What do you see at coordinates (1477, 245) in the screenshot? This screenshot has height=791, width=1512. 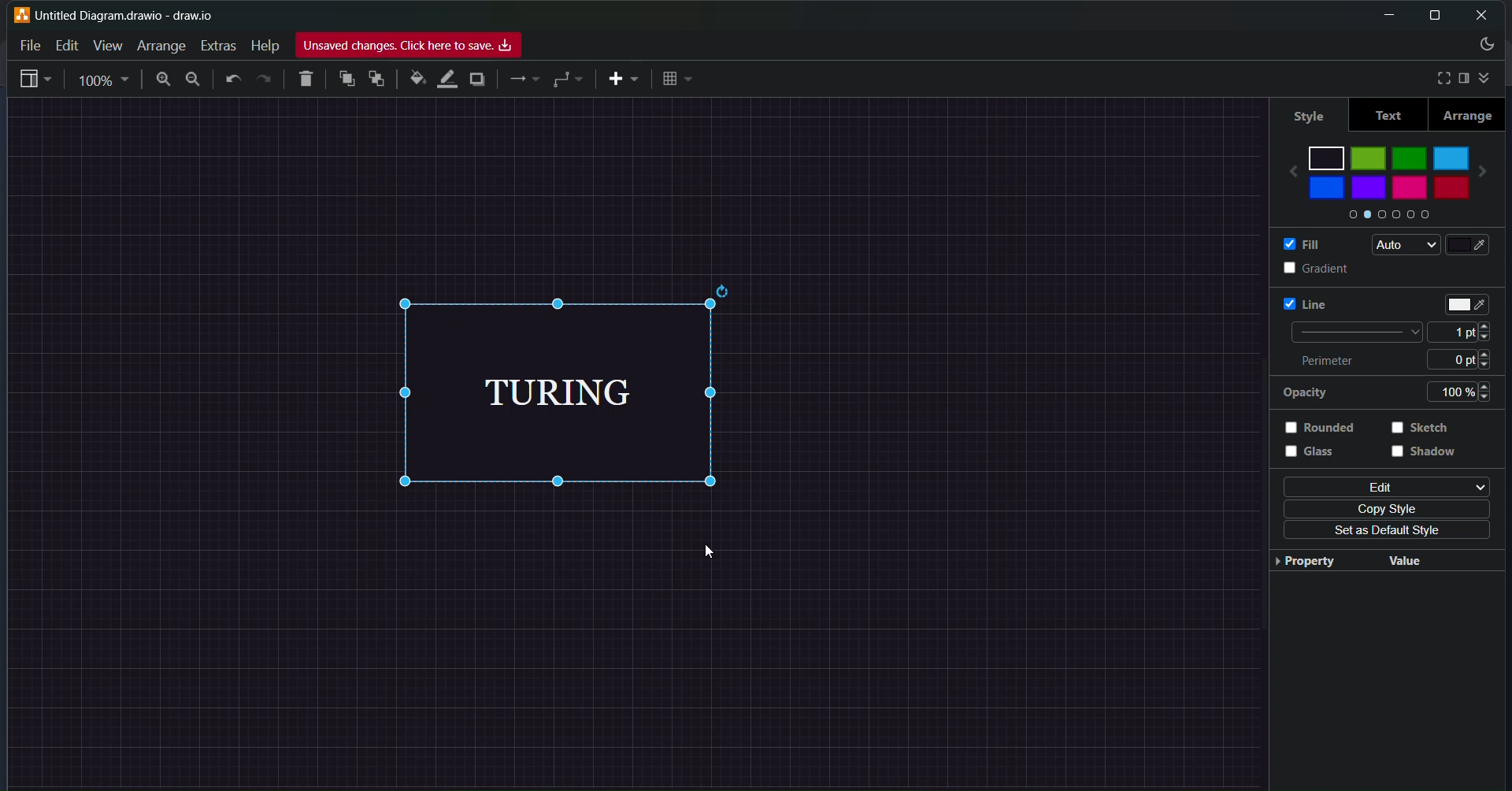 I see `fill color` at bounding box center [1477, 245].